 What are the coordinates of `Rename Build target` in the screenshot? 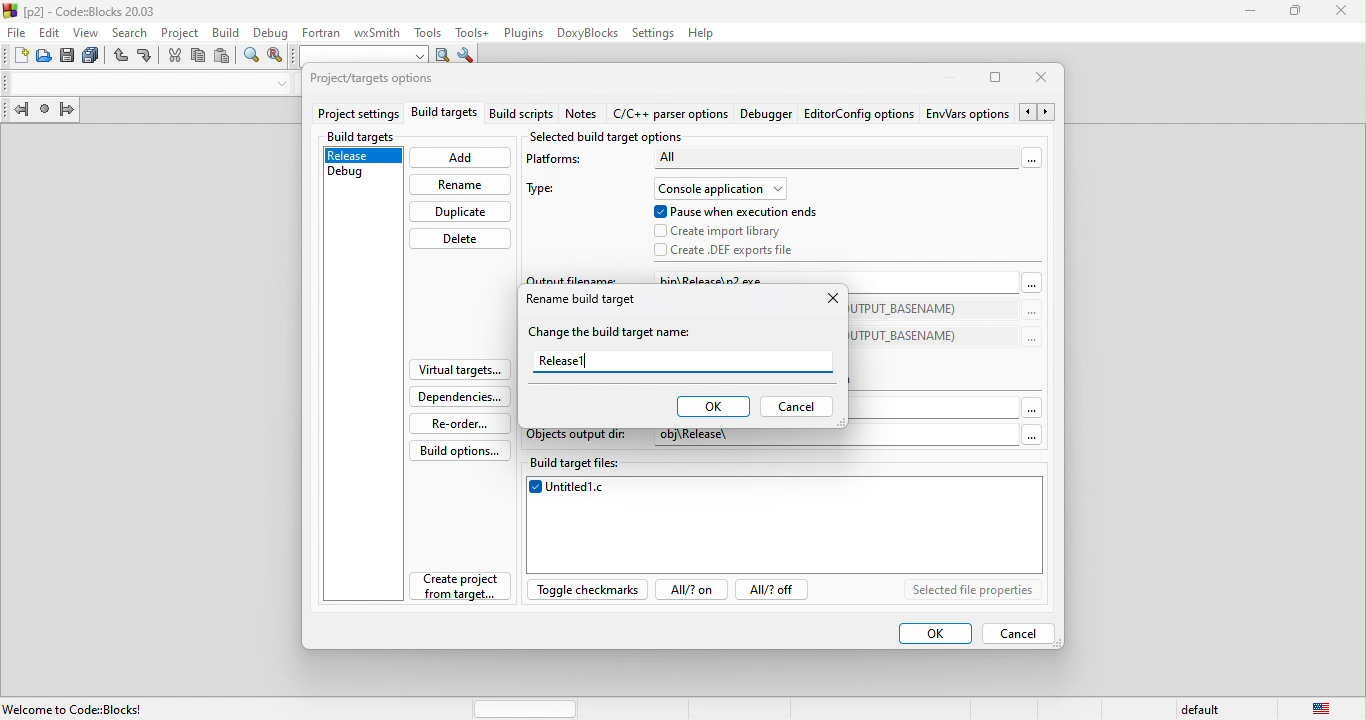 It's located at (581, 301).